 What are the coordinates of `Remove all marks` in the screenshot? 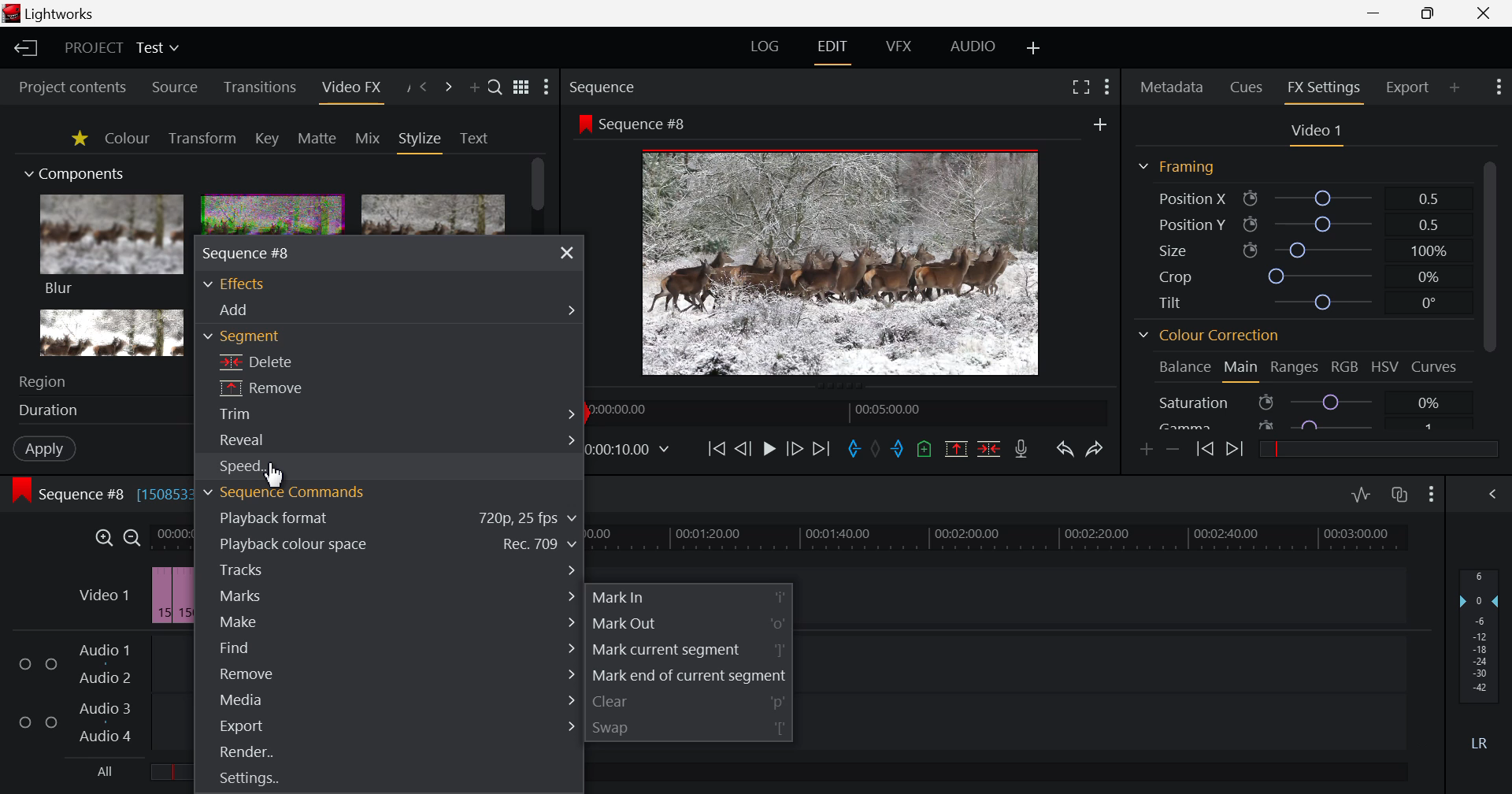 It's located at (880, 447).